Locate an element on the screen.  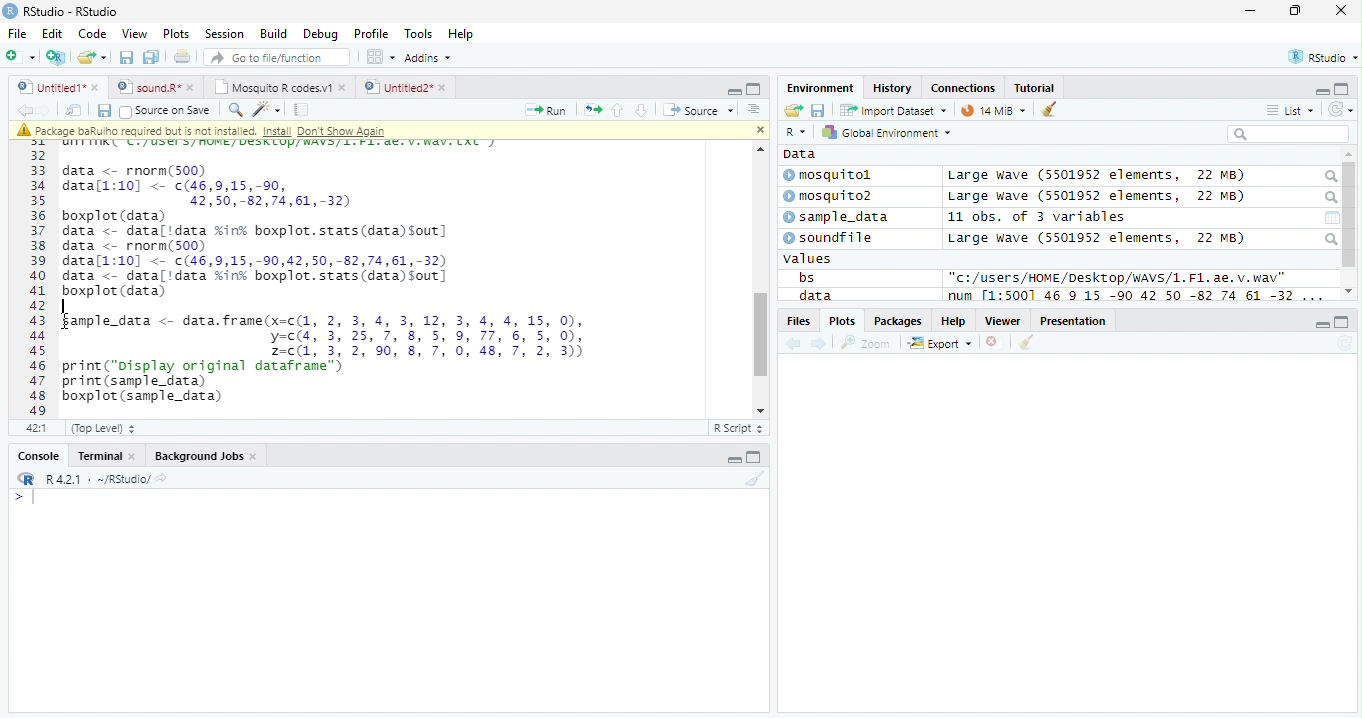
Refresh is located at coordinates (1344, 344).